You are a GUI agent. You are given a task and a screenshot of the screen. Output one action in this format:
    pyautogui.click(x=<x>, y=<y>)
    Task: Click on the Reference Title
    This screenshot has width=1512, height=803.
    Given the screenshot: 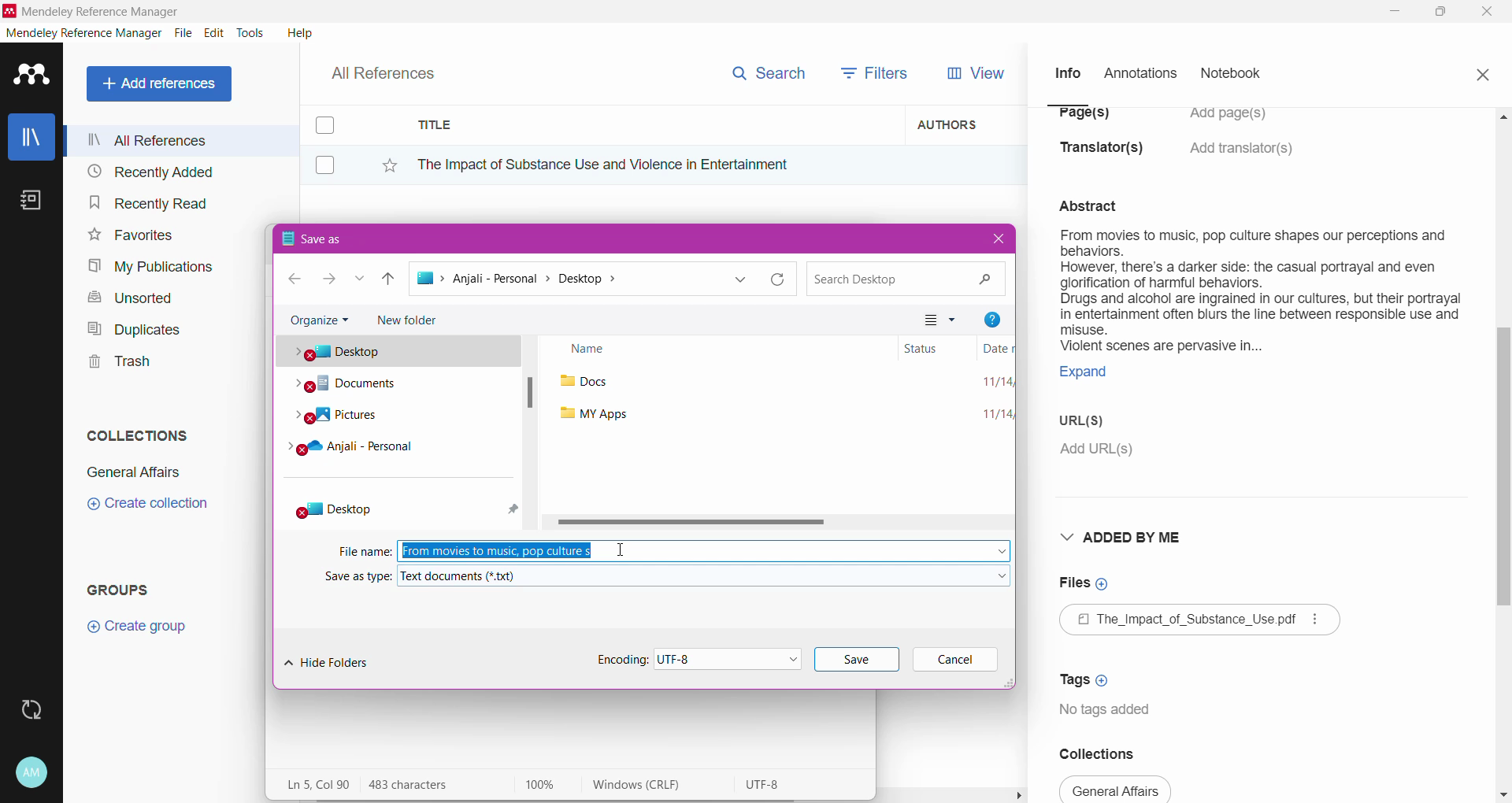 What is the action you would take?
    pyautogui.click(x=653, y=164)
    